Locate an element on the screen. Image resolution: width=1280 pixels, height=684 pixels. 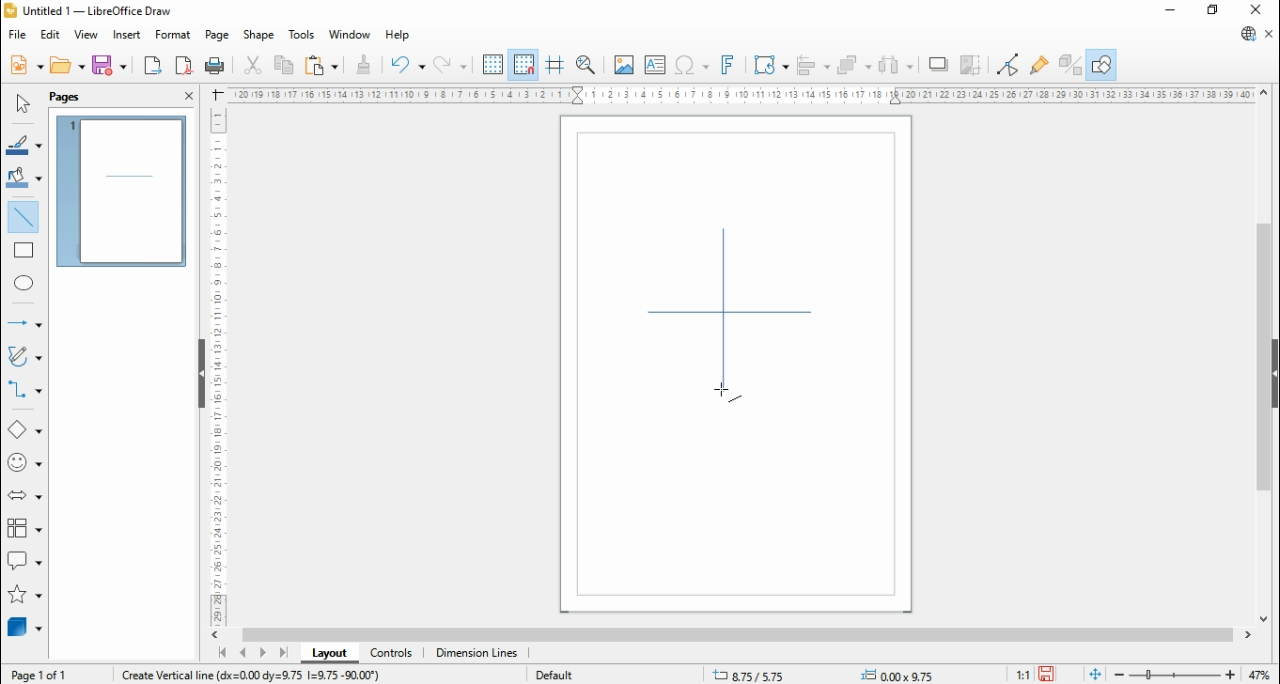
file is located at coordinates (16, 35).